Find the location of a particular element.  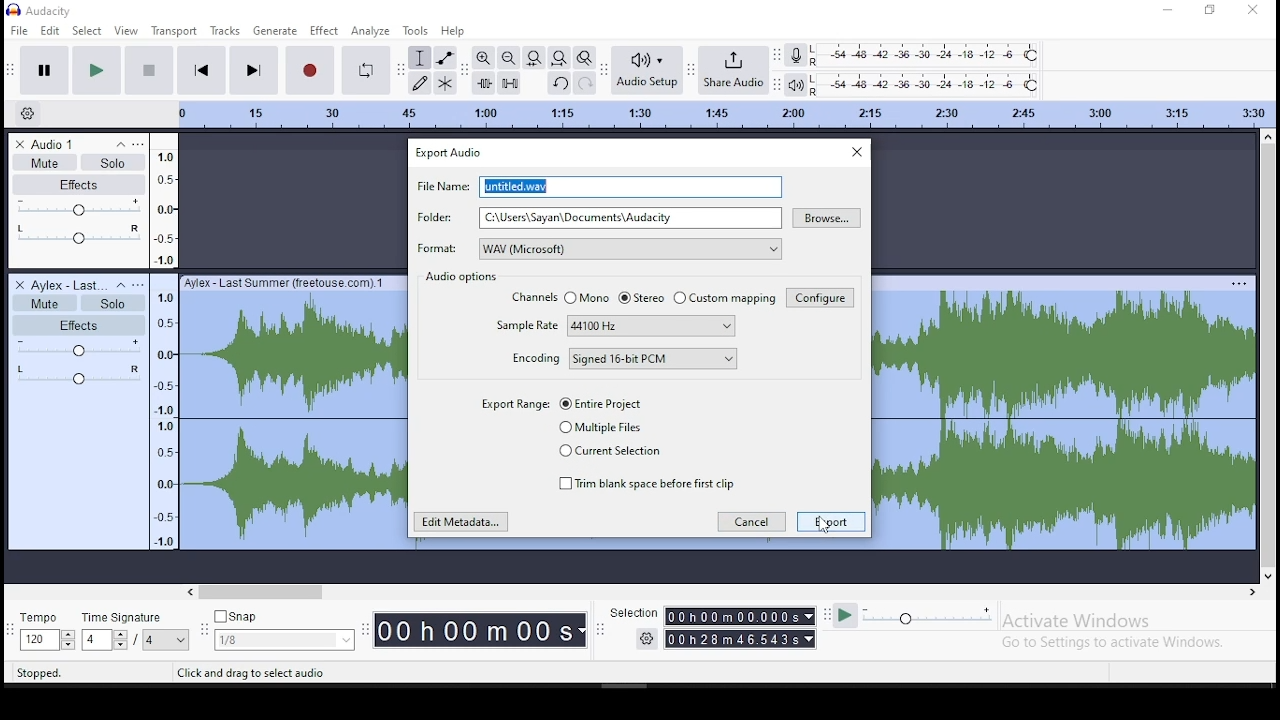

tempo is located at coordinates (45, 632).